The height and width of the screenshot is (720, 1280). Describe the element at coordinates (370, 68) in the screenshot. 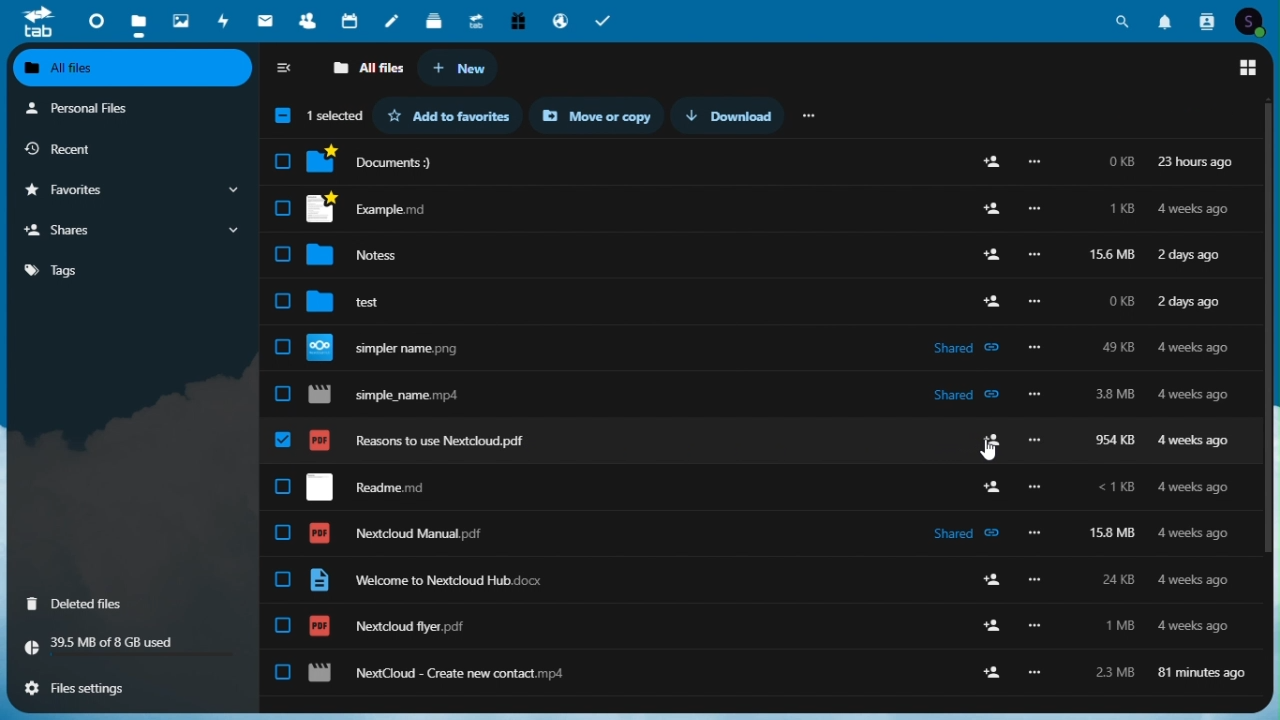

I see `all files` at that location.